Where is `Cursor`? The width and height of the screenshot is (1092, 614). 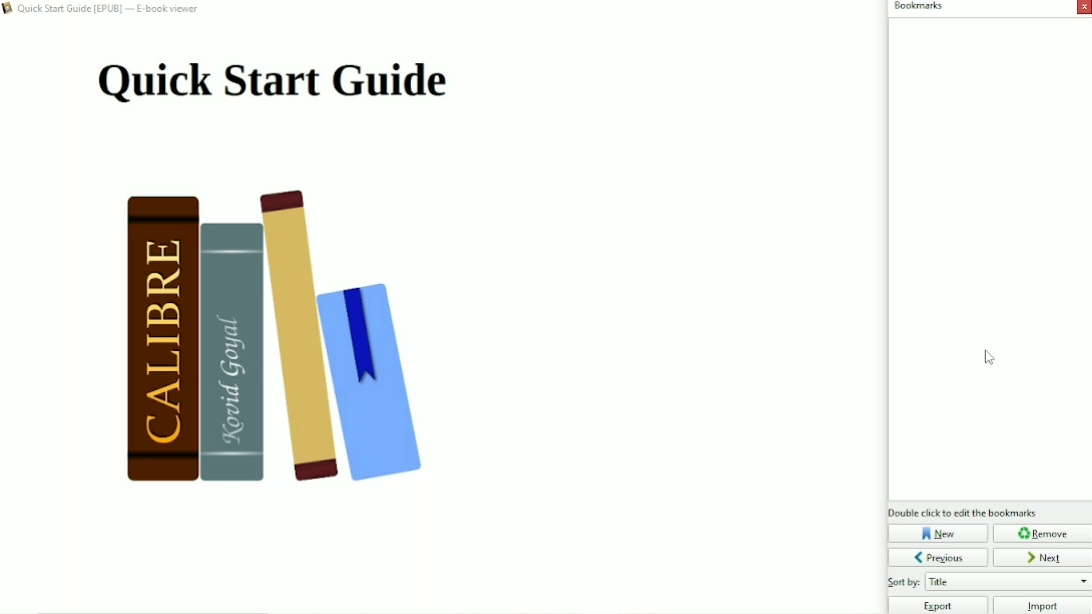 Cursor is located at coordinates (987, 358).